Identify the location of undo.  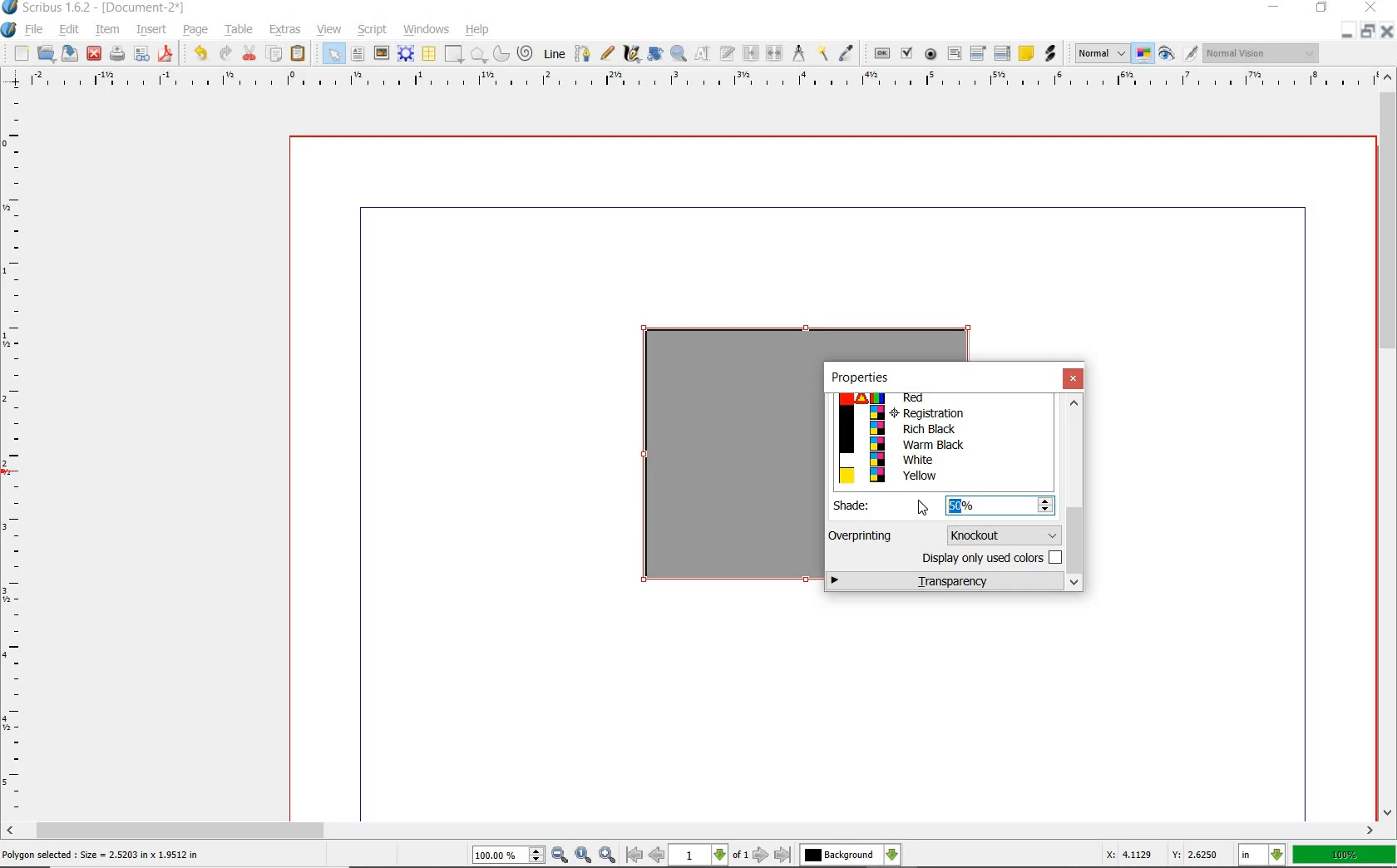
(200, 55).